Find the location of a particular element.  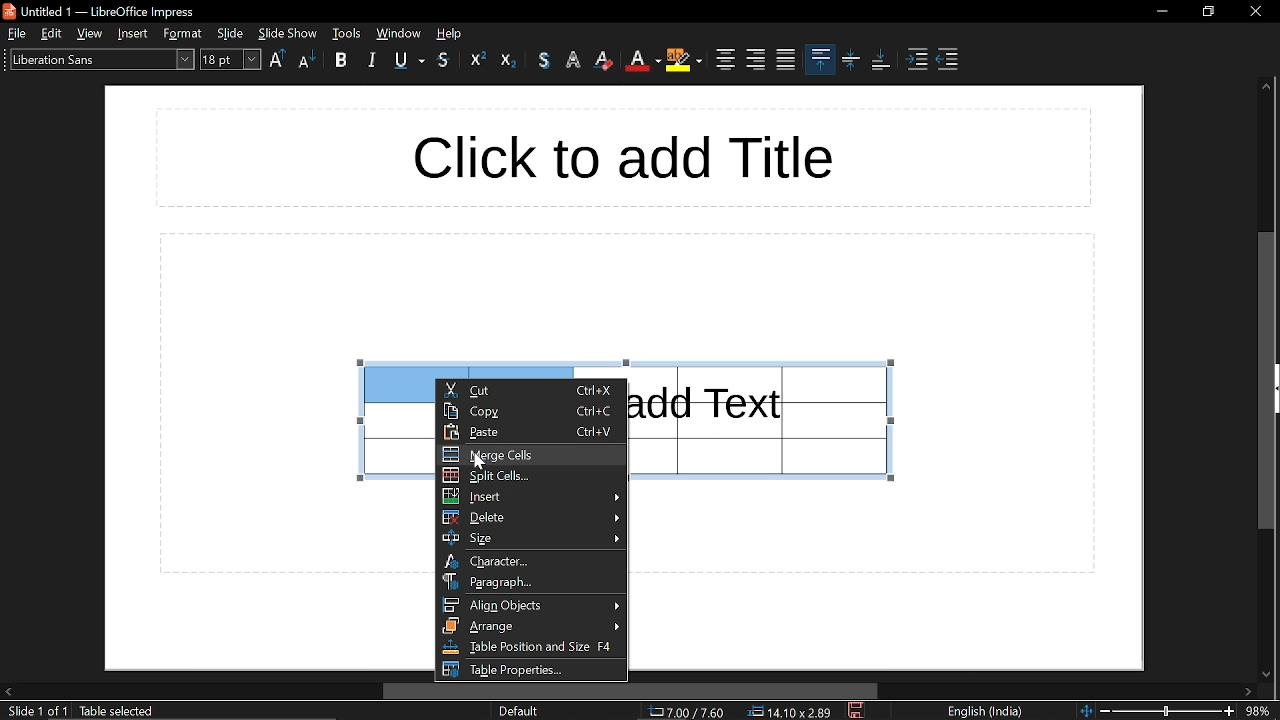

zoom in is located at coordinates (1229, 711).